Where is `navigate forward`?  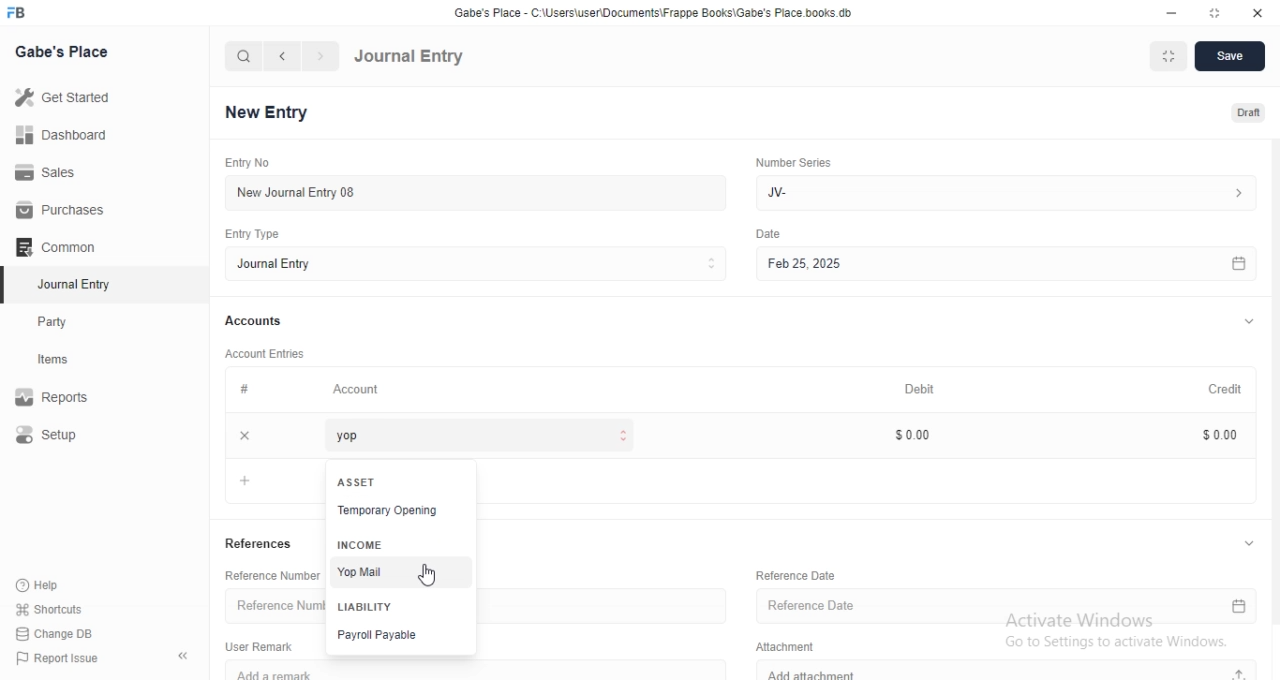 navigate forward is located at coordinates (321, 56).